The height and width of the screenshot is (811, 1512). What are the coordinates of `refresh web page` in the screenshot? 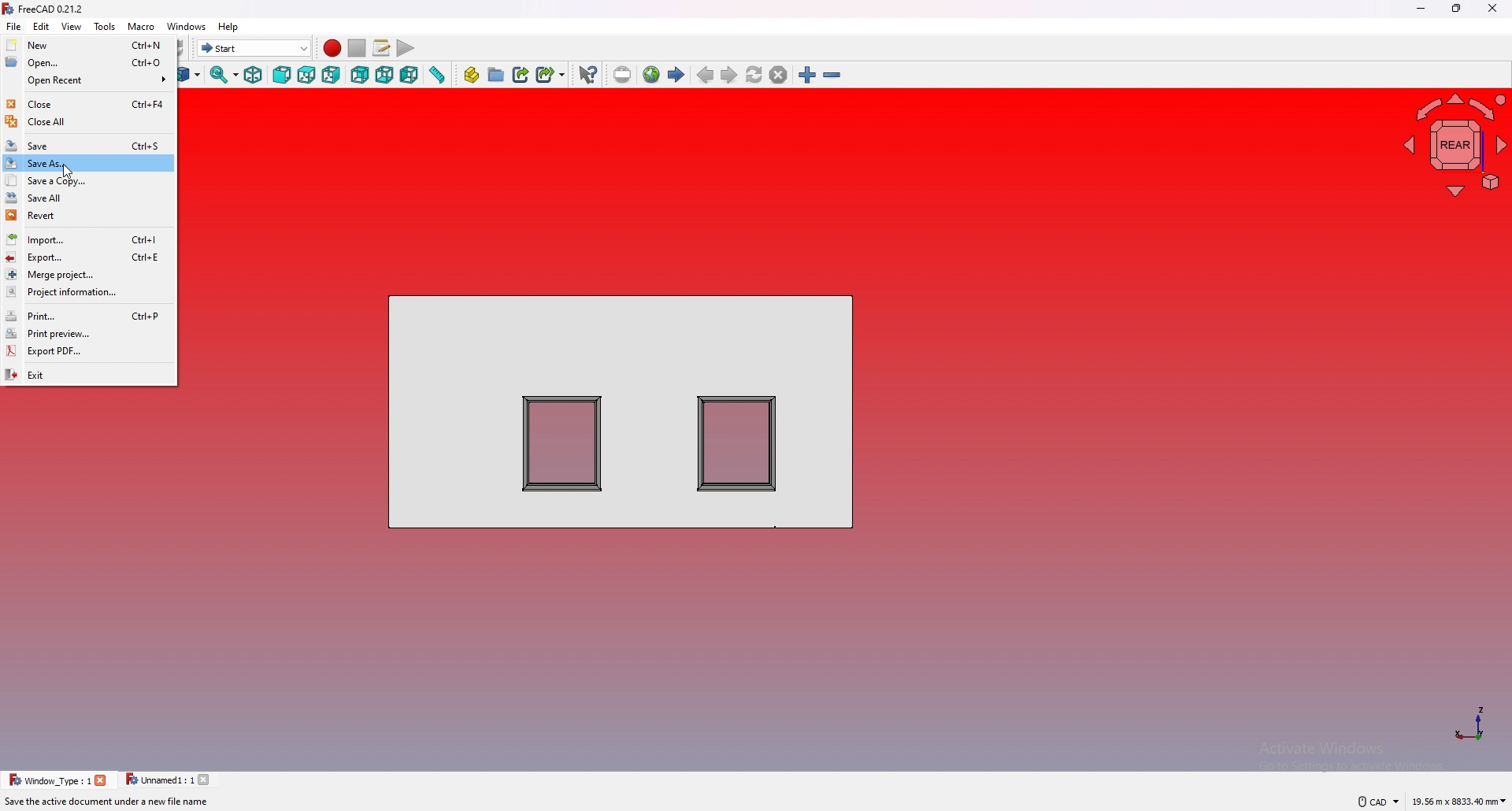 It's located at (754, 76).